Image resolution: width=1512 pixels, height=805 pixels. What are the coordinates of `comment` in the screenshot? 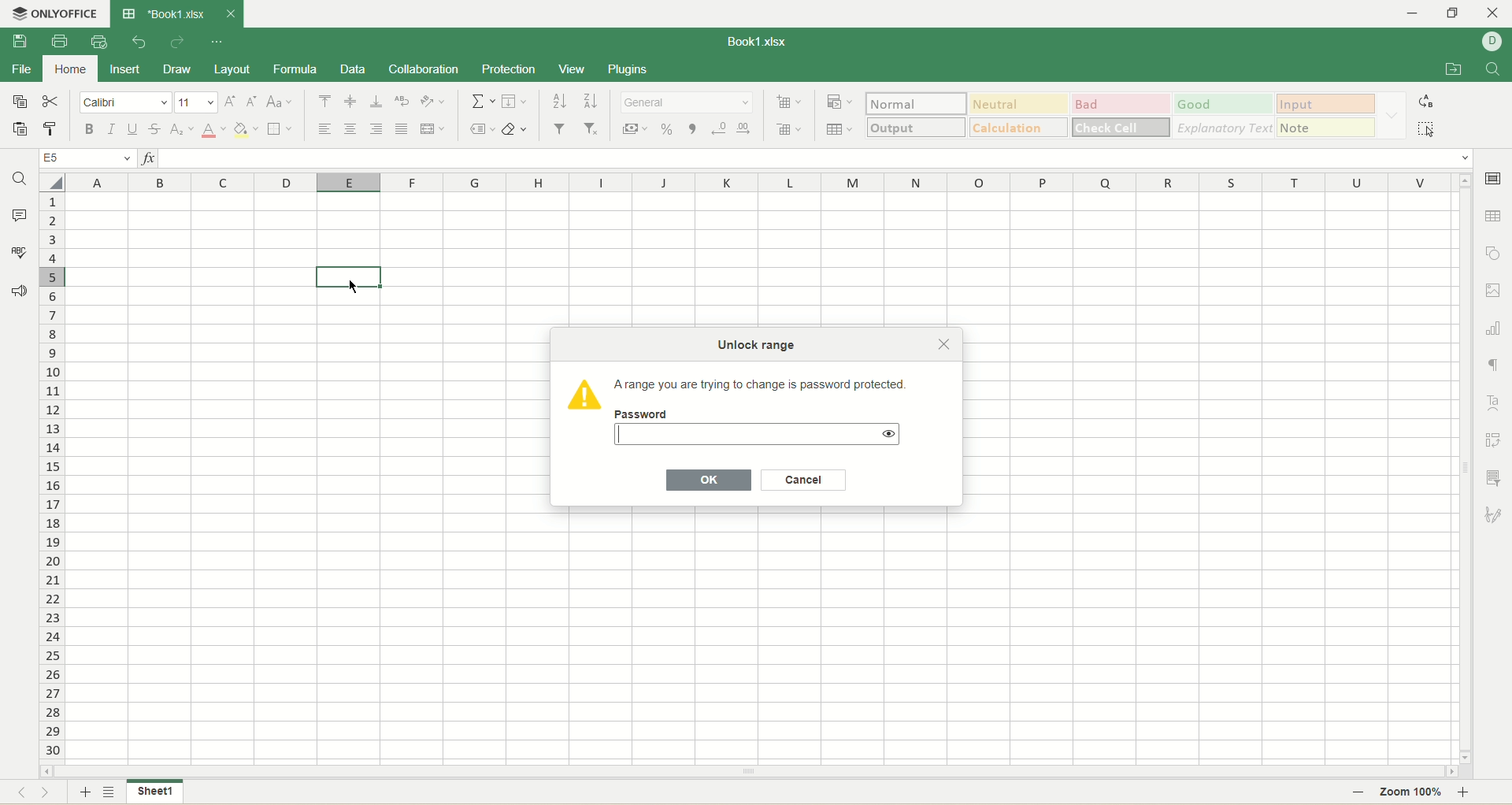 It's located at (20, 217).